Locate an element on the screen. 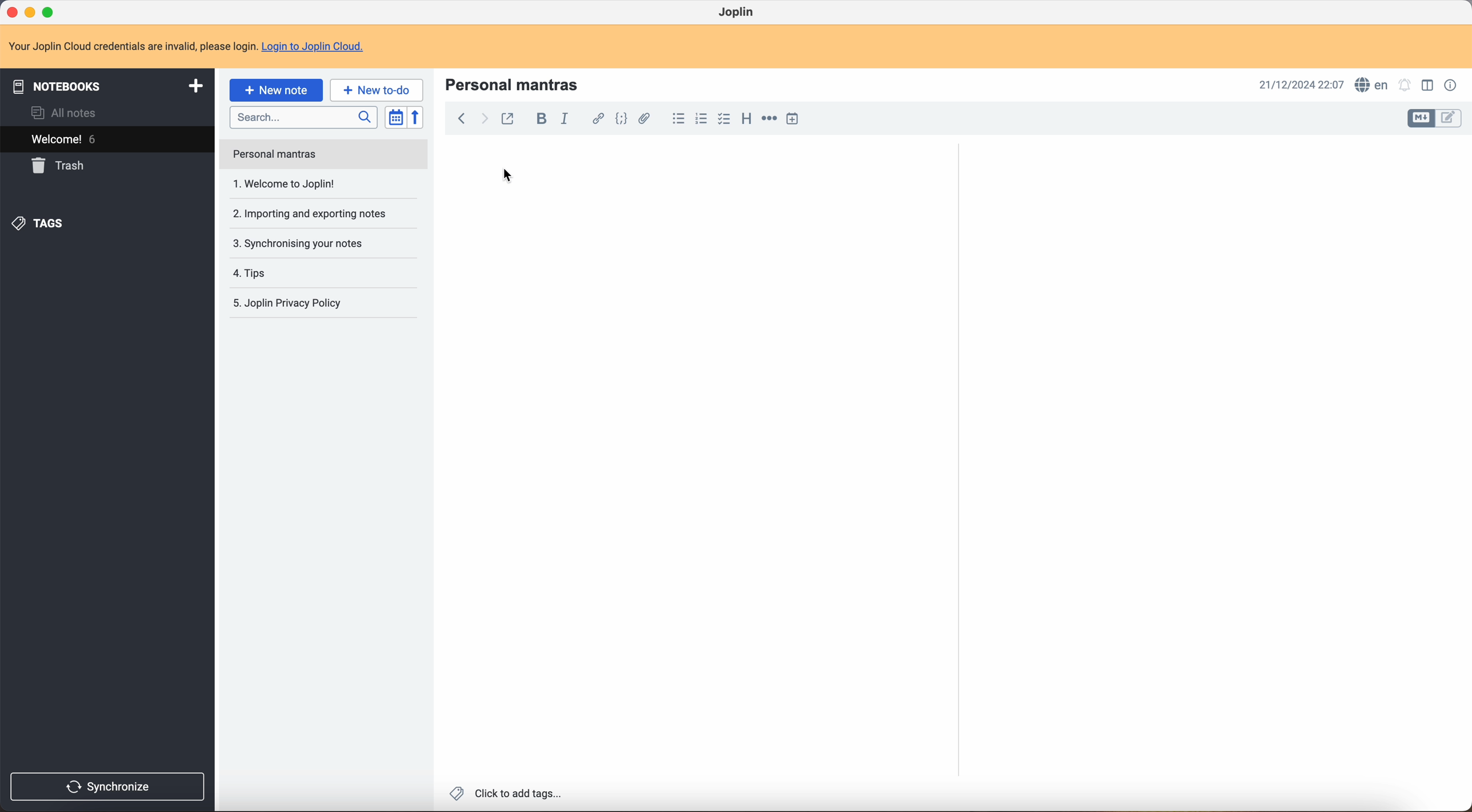 This screenshot has height=812, width=1472. close program is located at coordinates (11, 13).